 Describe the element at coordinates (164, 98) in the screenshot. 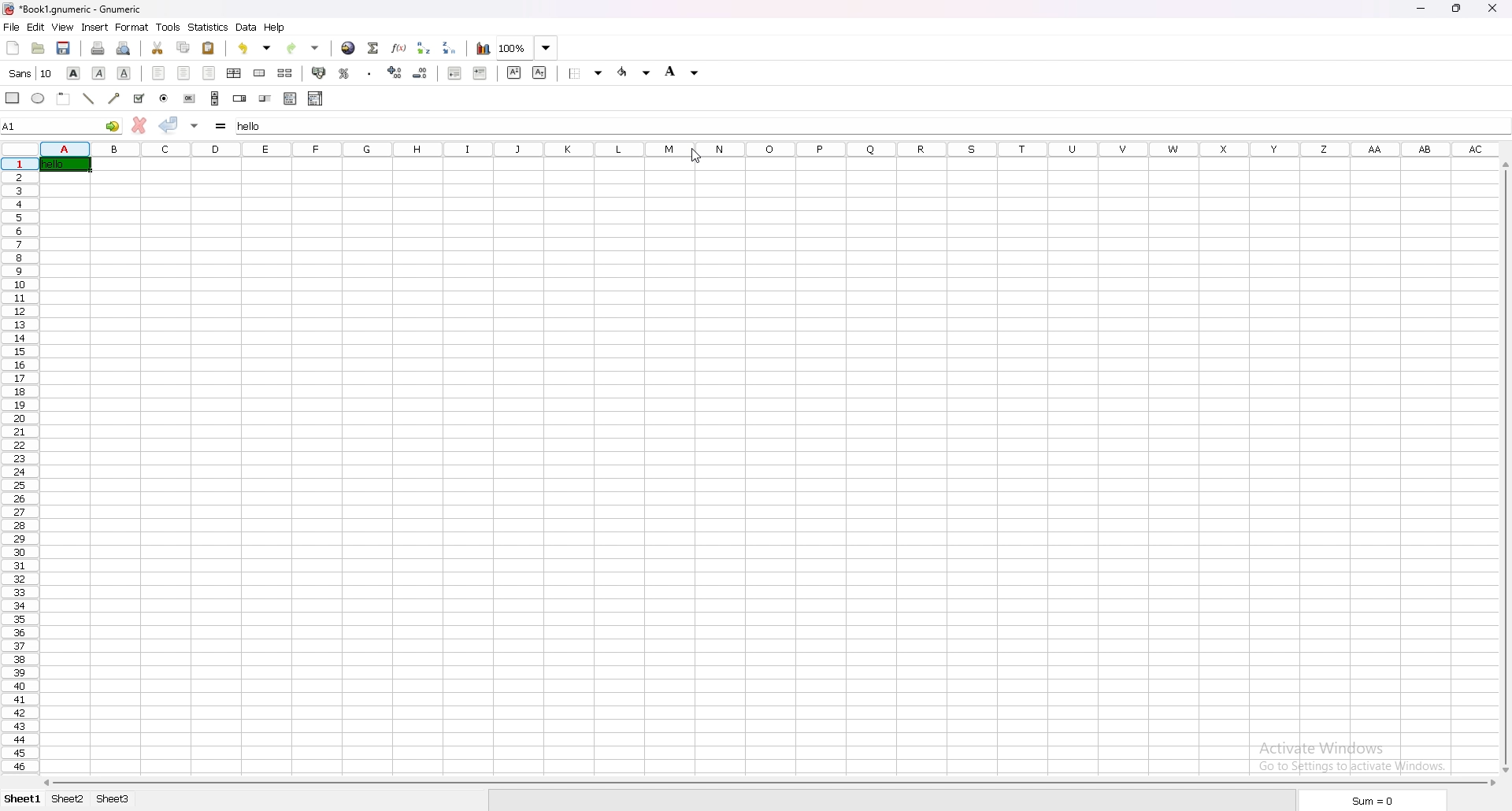

I see `radio button` at that location.